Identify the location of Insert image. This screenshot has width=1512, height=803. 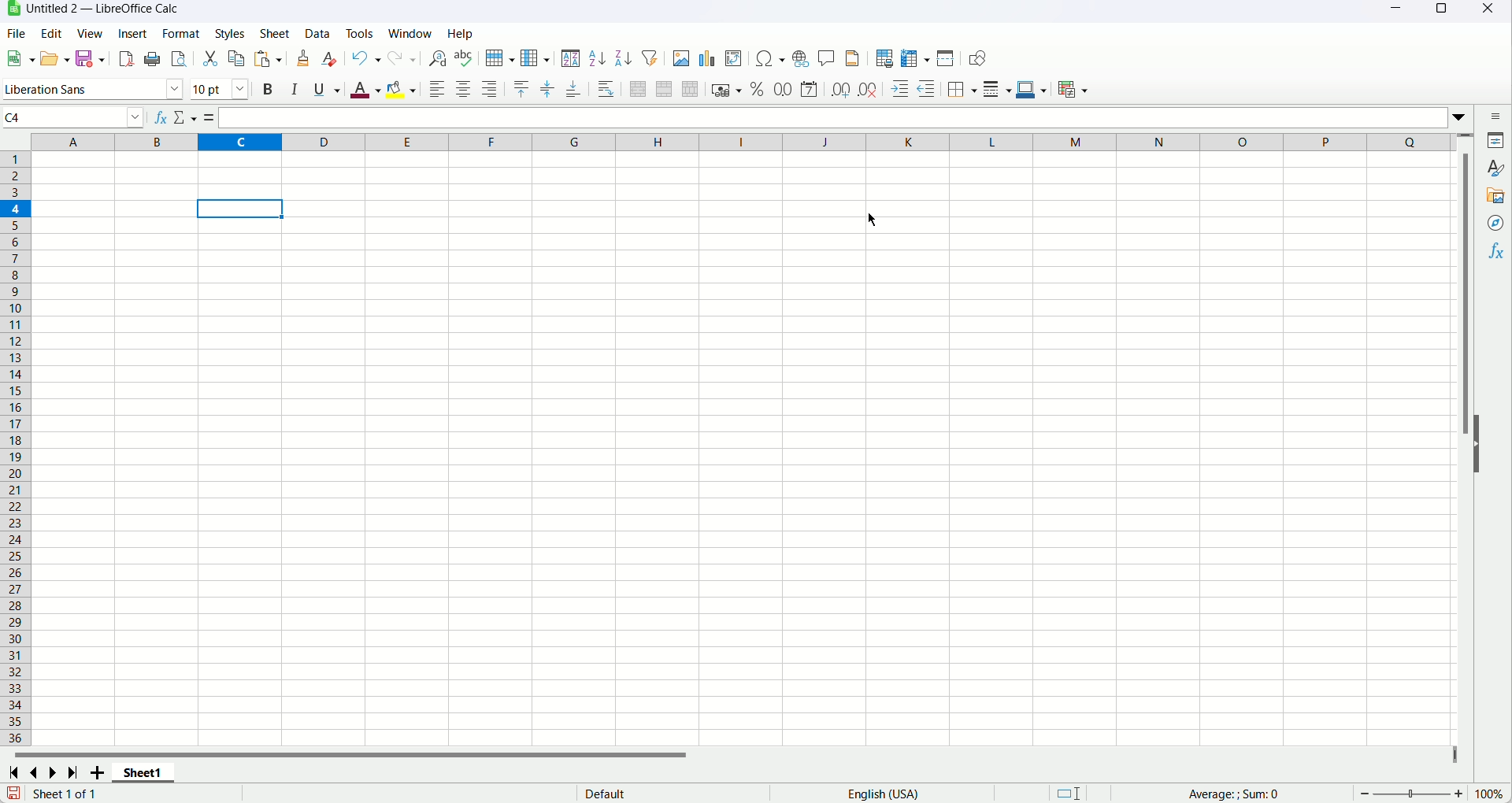
(680, 57).